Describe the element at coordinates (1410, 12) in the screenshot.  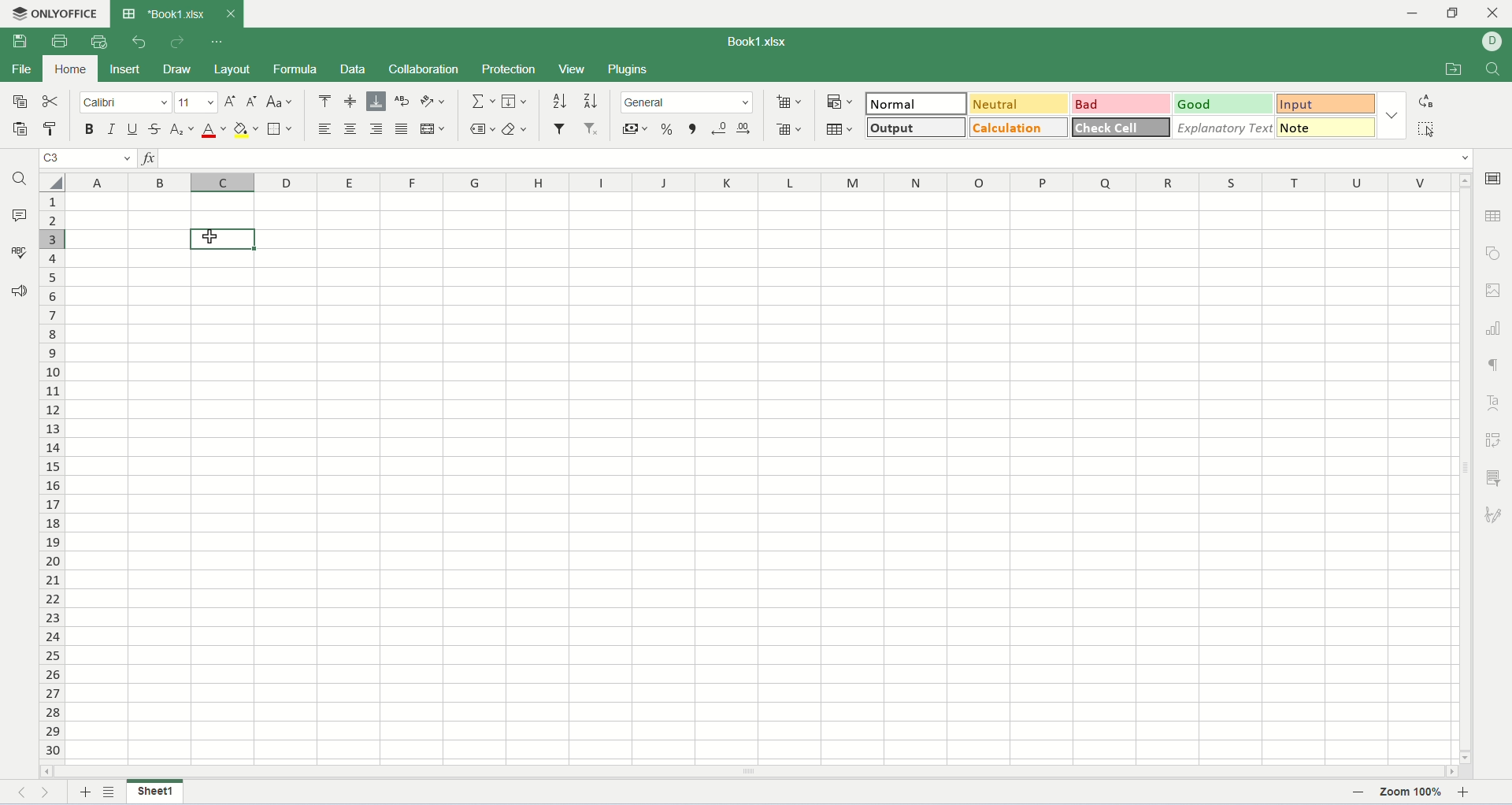
I see `minimize` at that location.